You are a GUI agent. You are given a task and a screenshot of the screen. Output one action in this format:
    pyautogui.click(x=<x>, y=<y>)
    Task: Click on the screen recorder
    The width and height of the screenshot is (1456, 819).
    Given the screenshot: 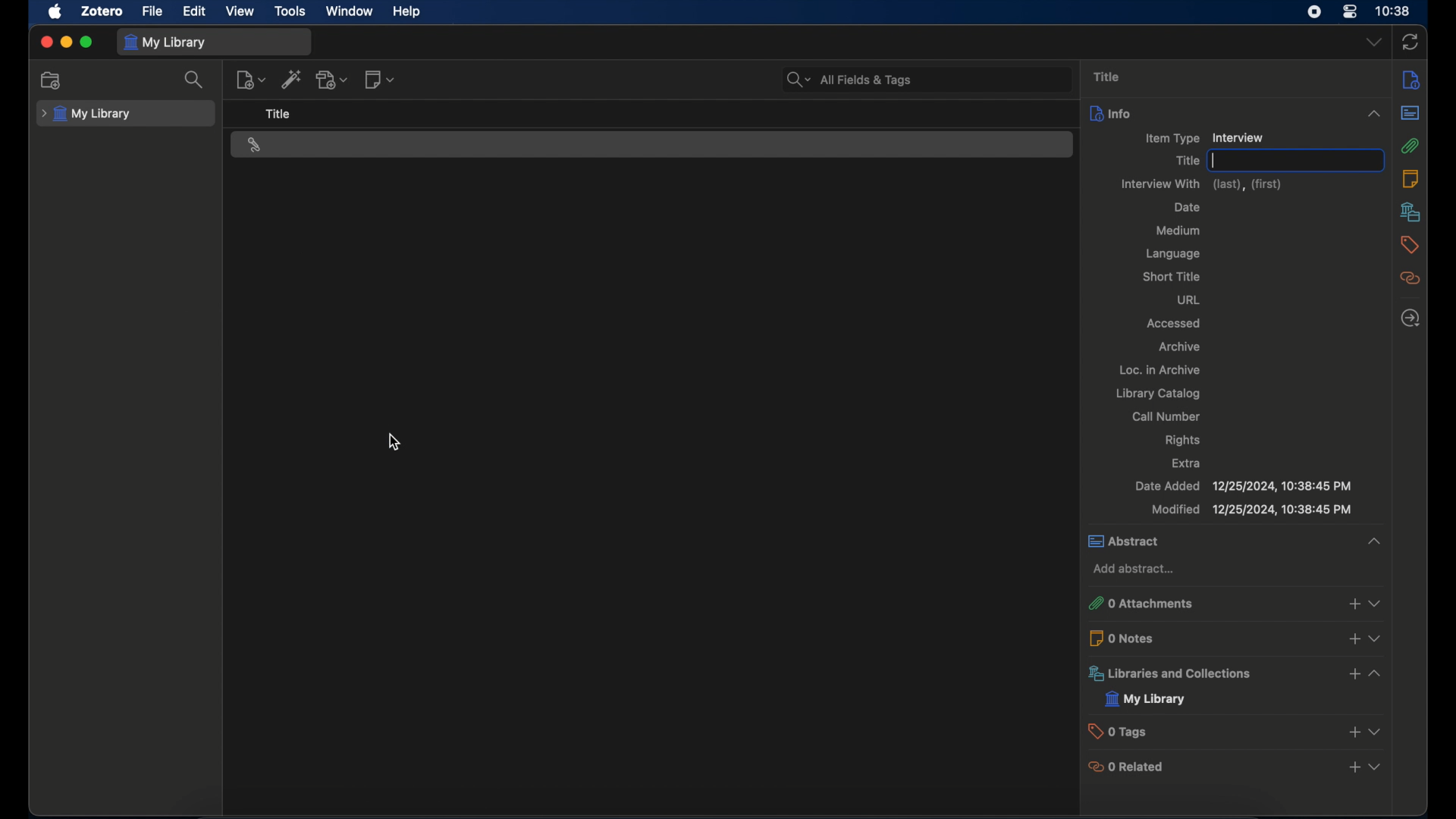 What is the action you would take?
    pyautogui.click(x=1314, y=11)
    